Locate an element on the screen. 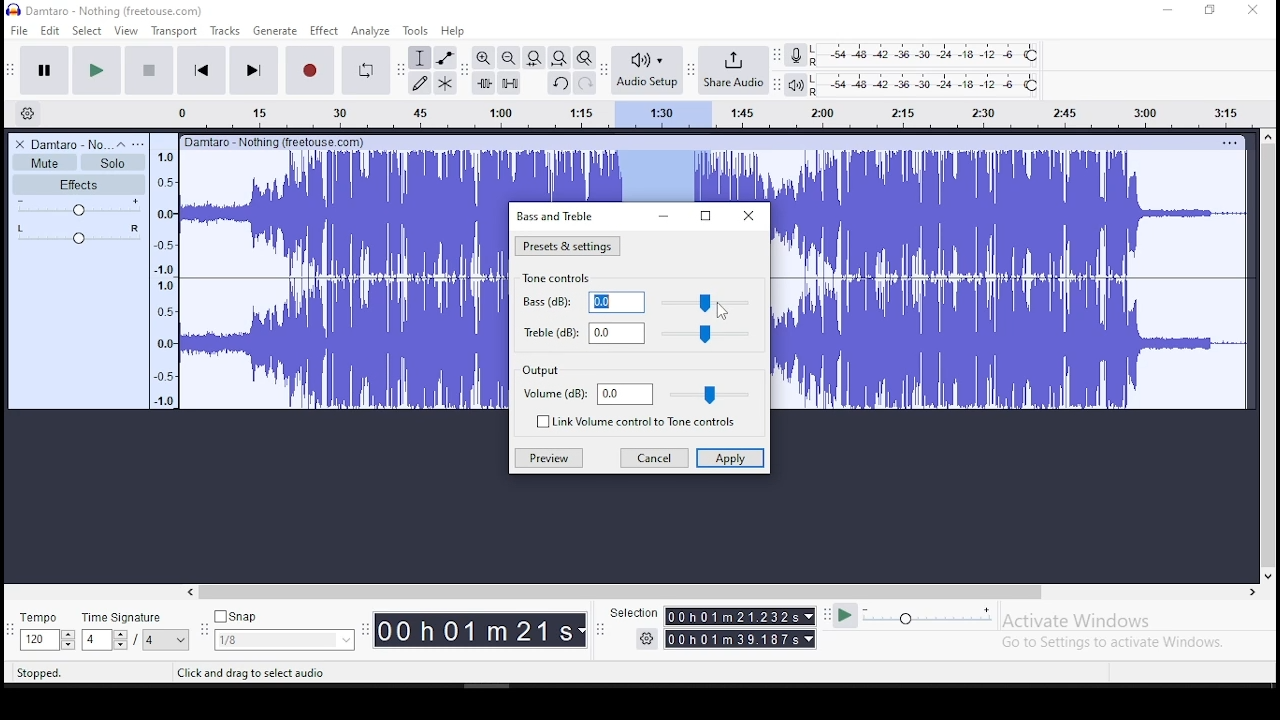 This screenshot has width=1280, height=720. 00 h 01 m 39.187s is located at coordinates (733, 639).